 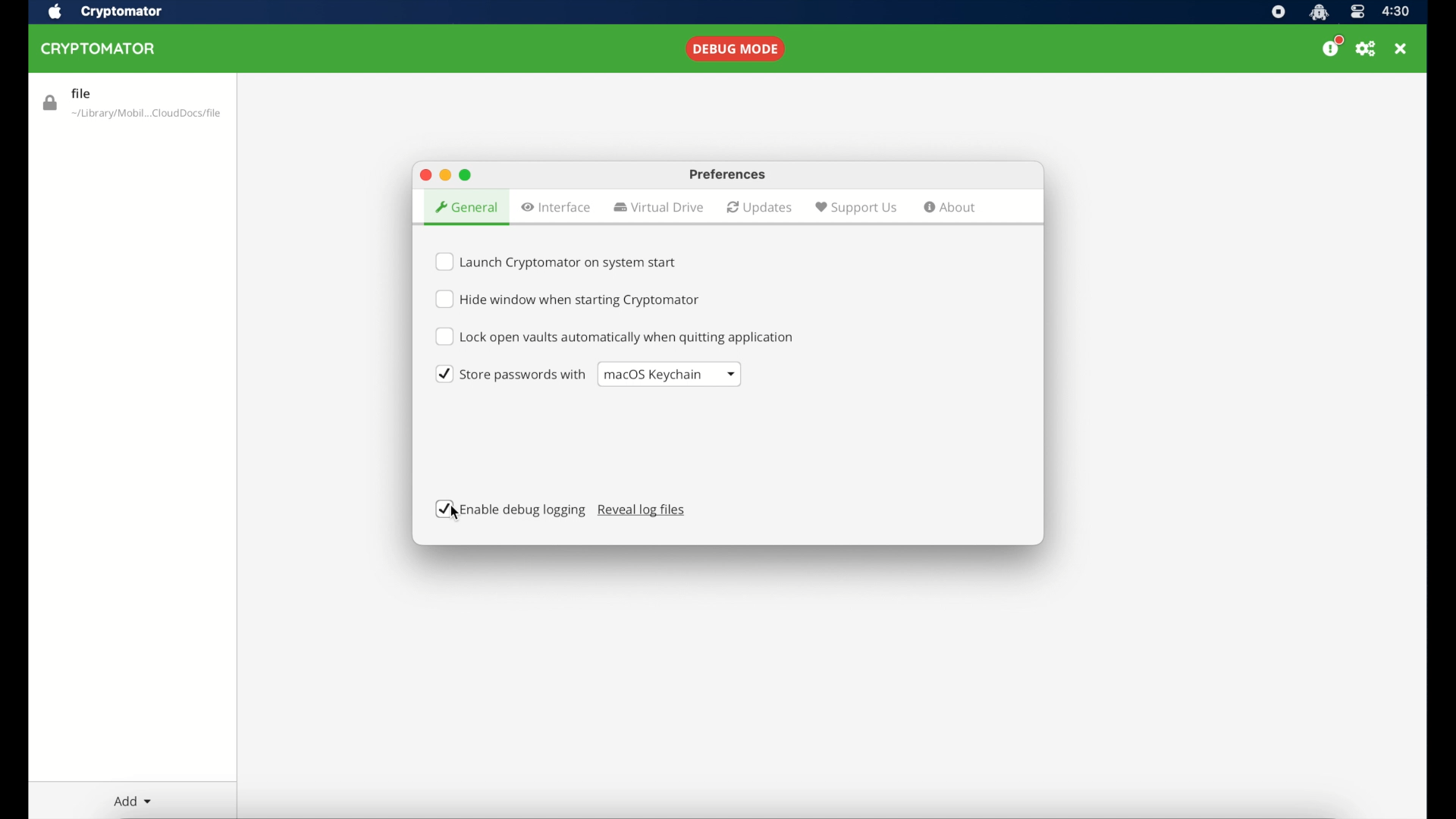 I want to click on close, so click(x=424, y=174).